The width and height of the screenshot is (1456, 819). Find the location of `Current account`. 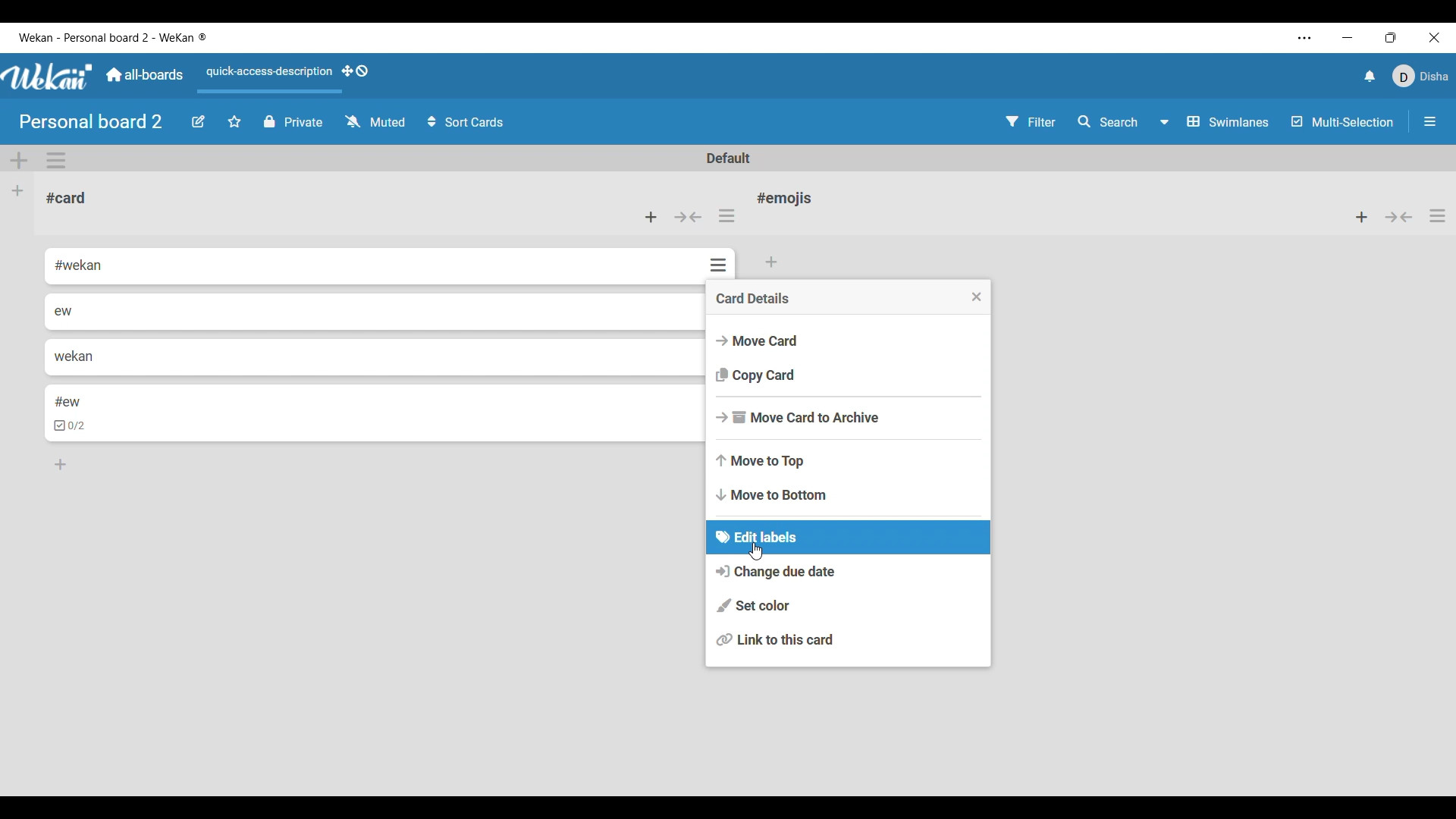

Current account is located at coordinates (1420, 76).